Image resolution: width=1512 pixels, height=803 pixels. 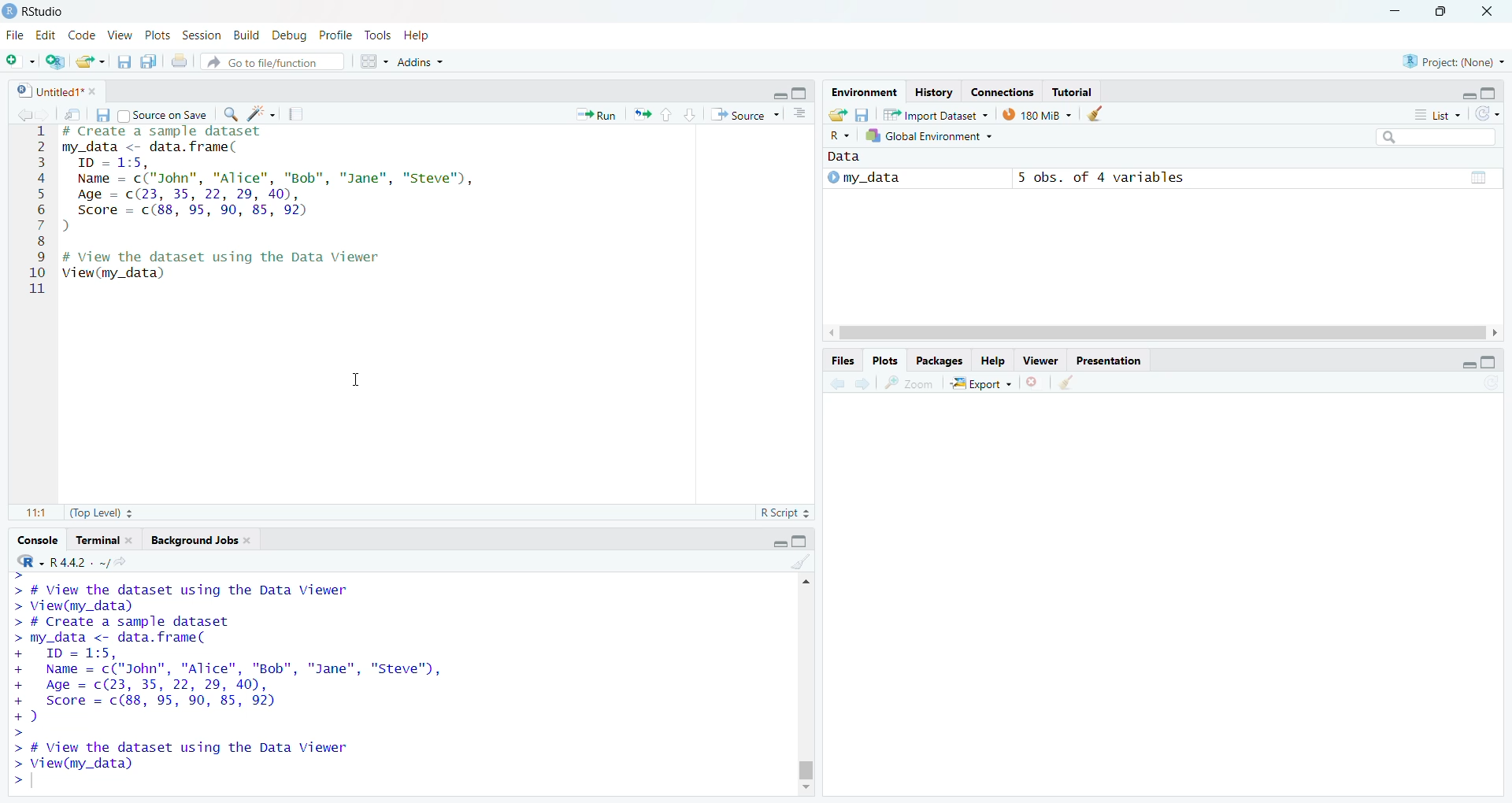 I want to click on Open an existing file, so click(x=93, y=62).